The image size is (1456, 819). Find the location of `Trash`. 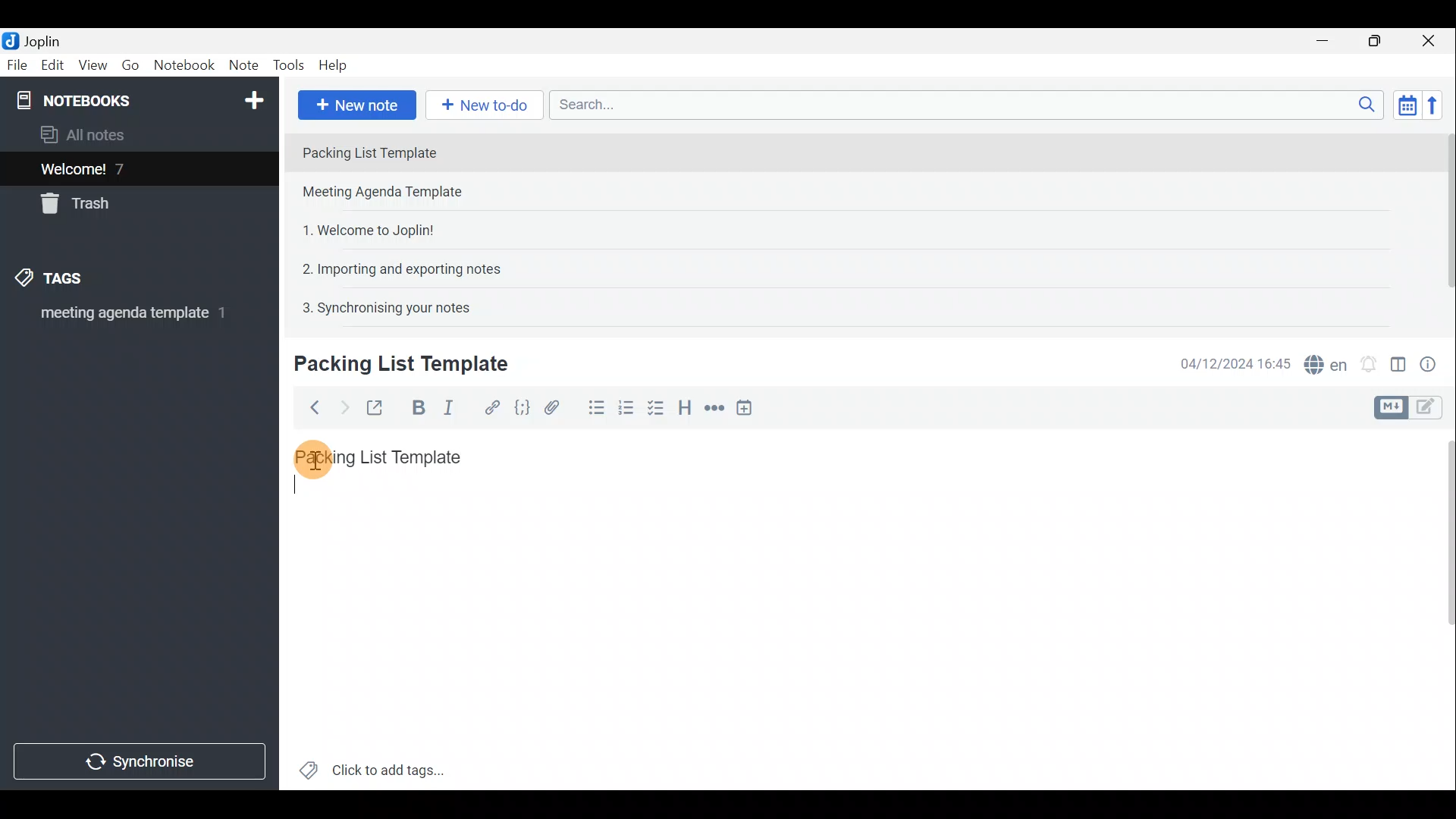

Trash is located at coordinates (81, 206).